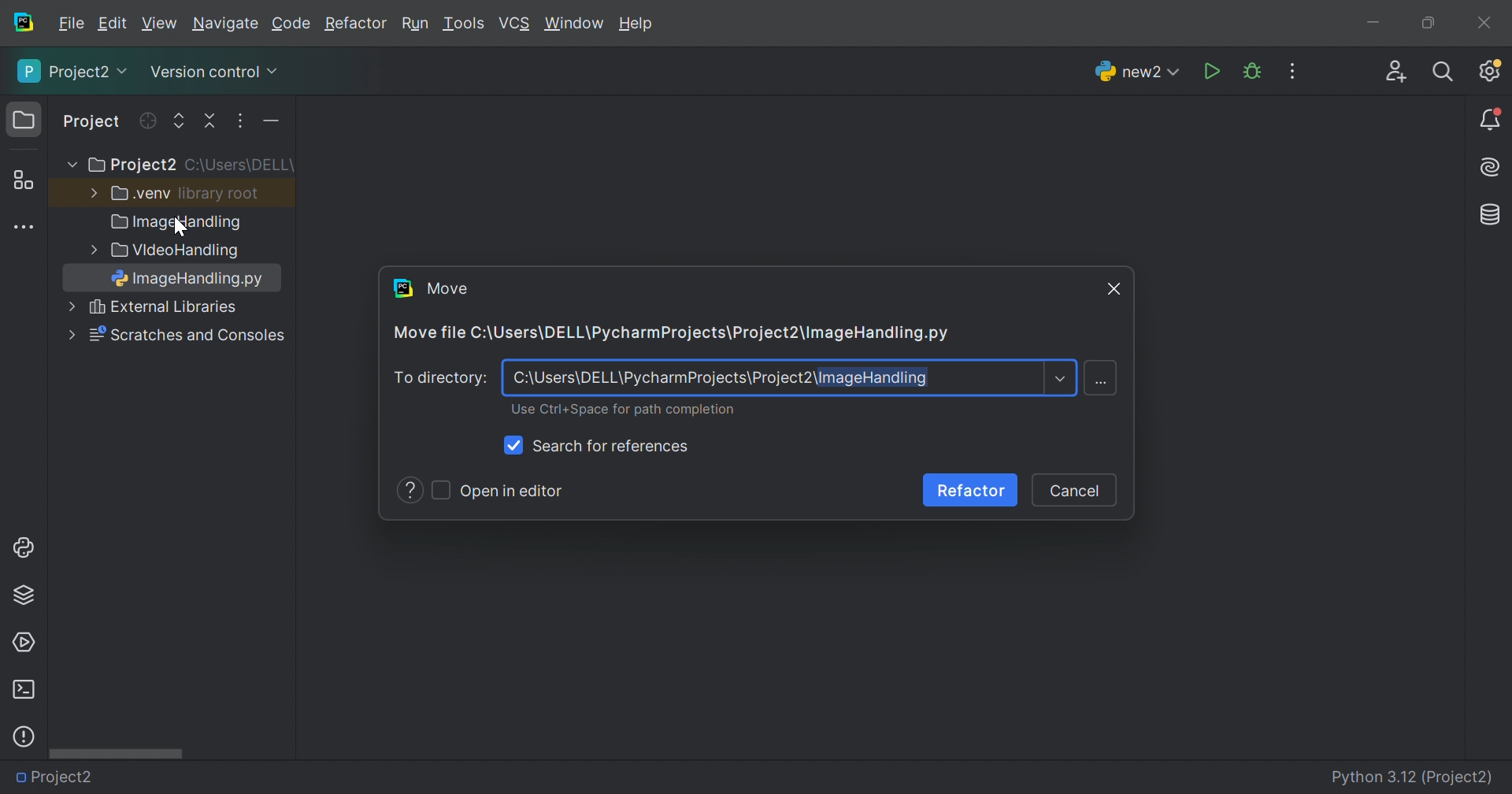  Describe the element at coordinates (177, 224) in the screenshot. I see `Image Handling` at that location.